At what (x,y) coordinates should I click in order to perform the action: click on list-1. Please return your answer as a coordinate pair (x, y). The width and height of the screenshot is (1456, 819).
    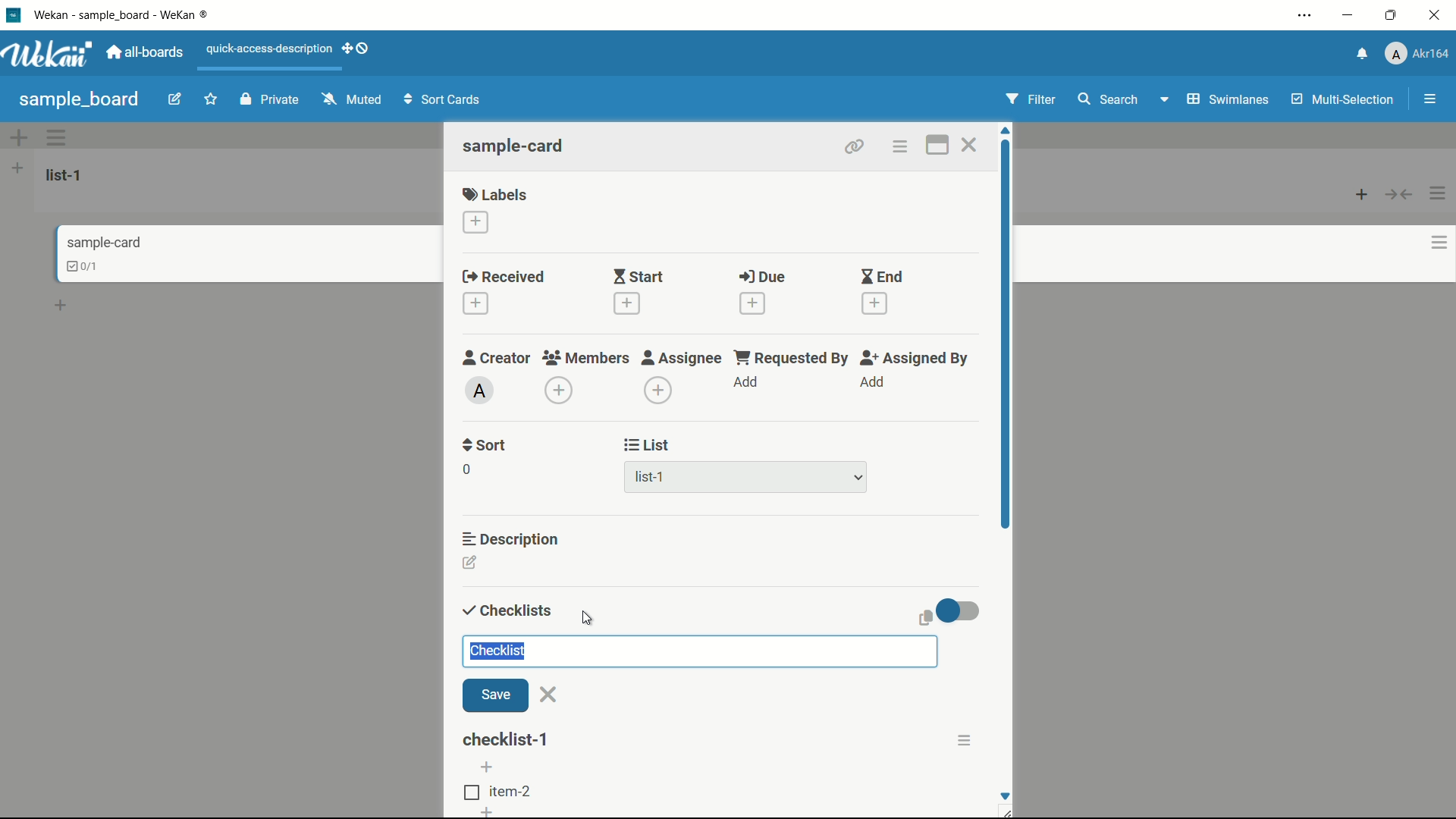
    Looking at the image, I should click on (67, 174).